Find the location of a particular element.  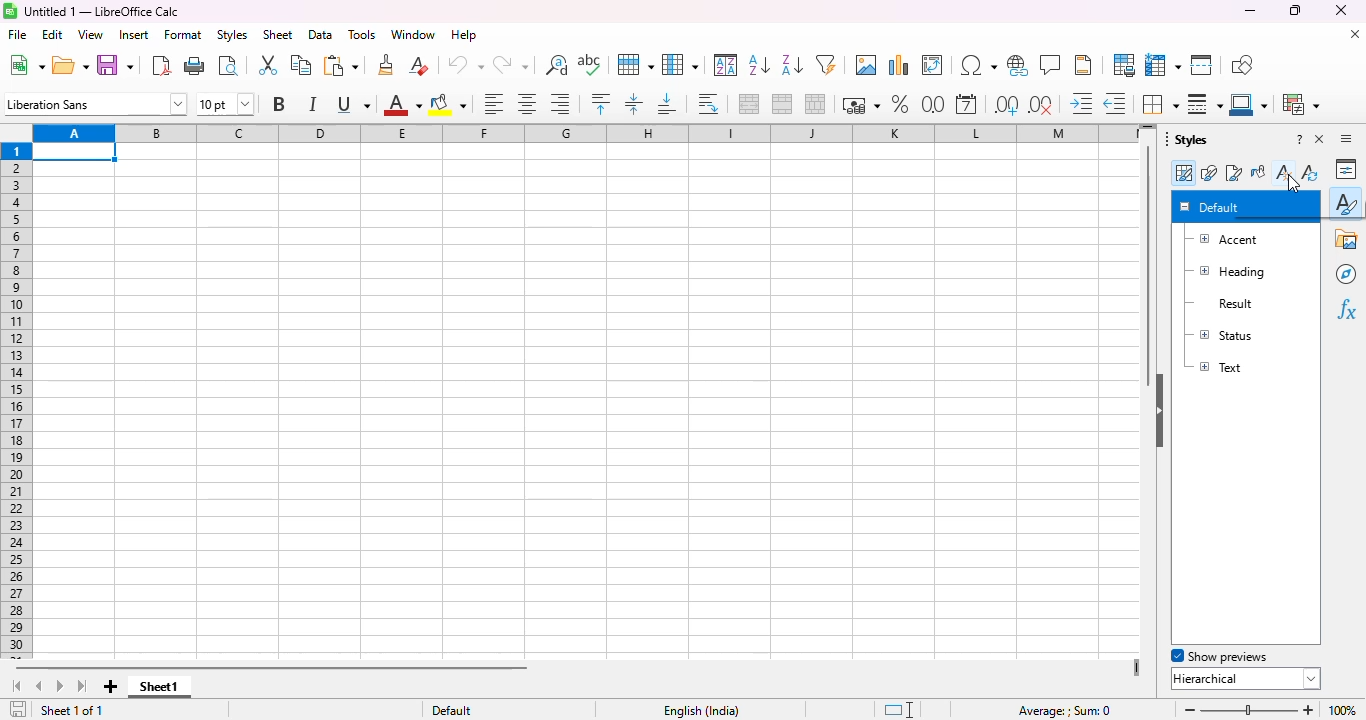

rows is located at coordinates (17, 401).